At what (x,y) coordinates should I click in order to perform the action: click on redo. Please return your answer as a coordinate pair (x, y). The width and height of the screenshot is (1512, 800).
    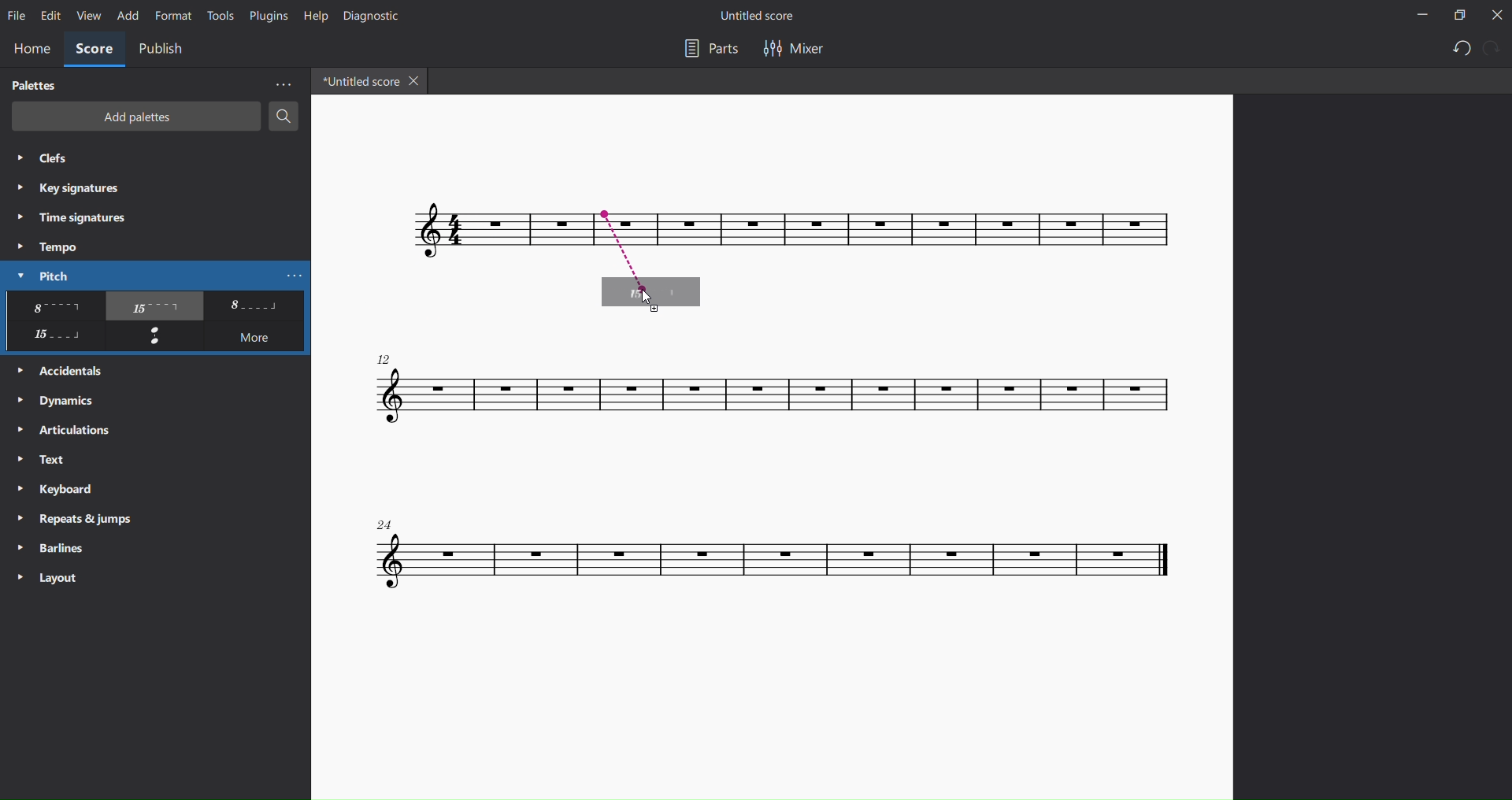
    Looking at the image, I should click on (1494, 47).